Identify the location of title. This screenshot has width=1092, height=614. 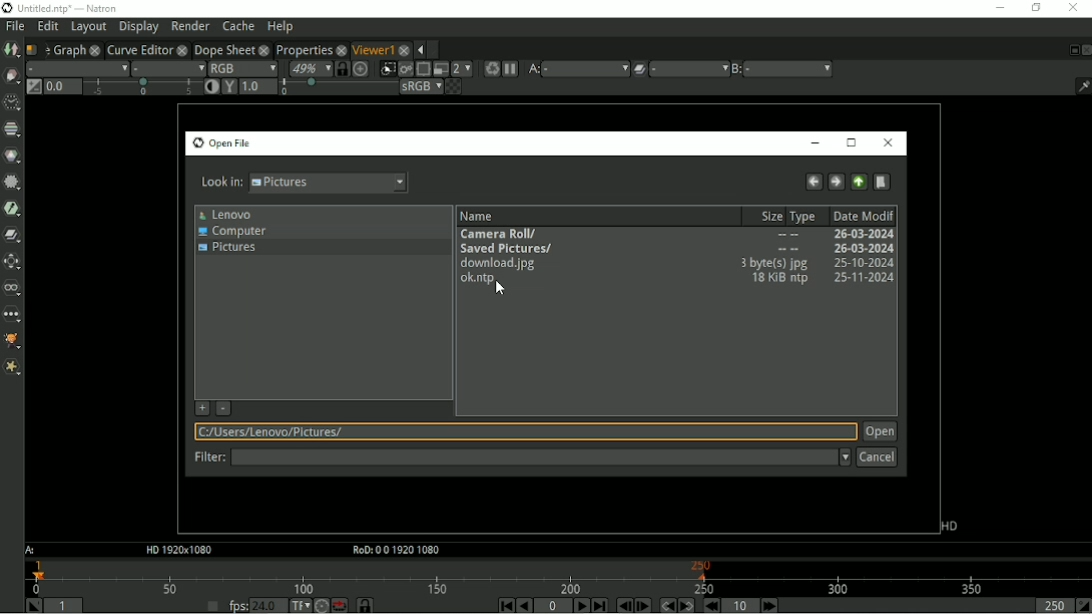
(89, 8).